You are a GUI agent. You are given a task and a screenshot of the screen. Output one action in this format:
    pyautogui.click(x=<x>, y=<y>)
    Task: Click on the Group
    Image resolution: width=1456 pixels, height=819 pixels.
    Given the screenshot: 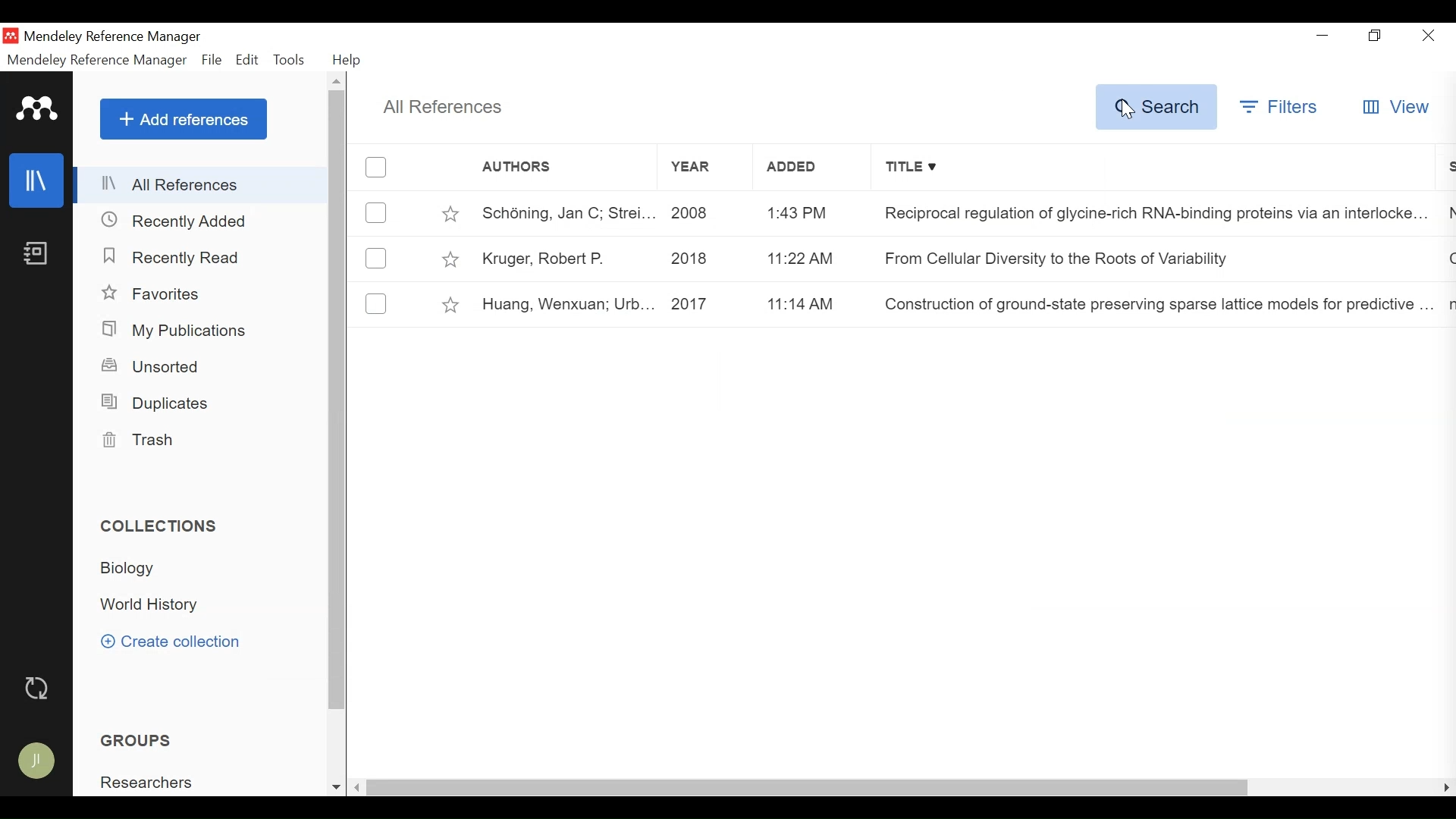 What is the action you would take?
    pyautogui.click(x=145, y=781)
    